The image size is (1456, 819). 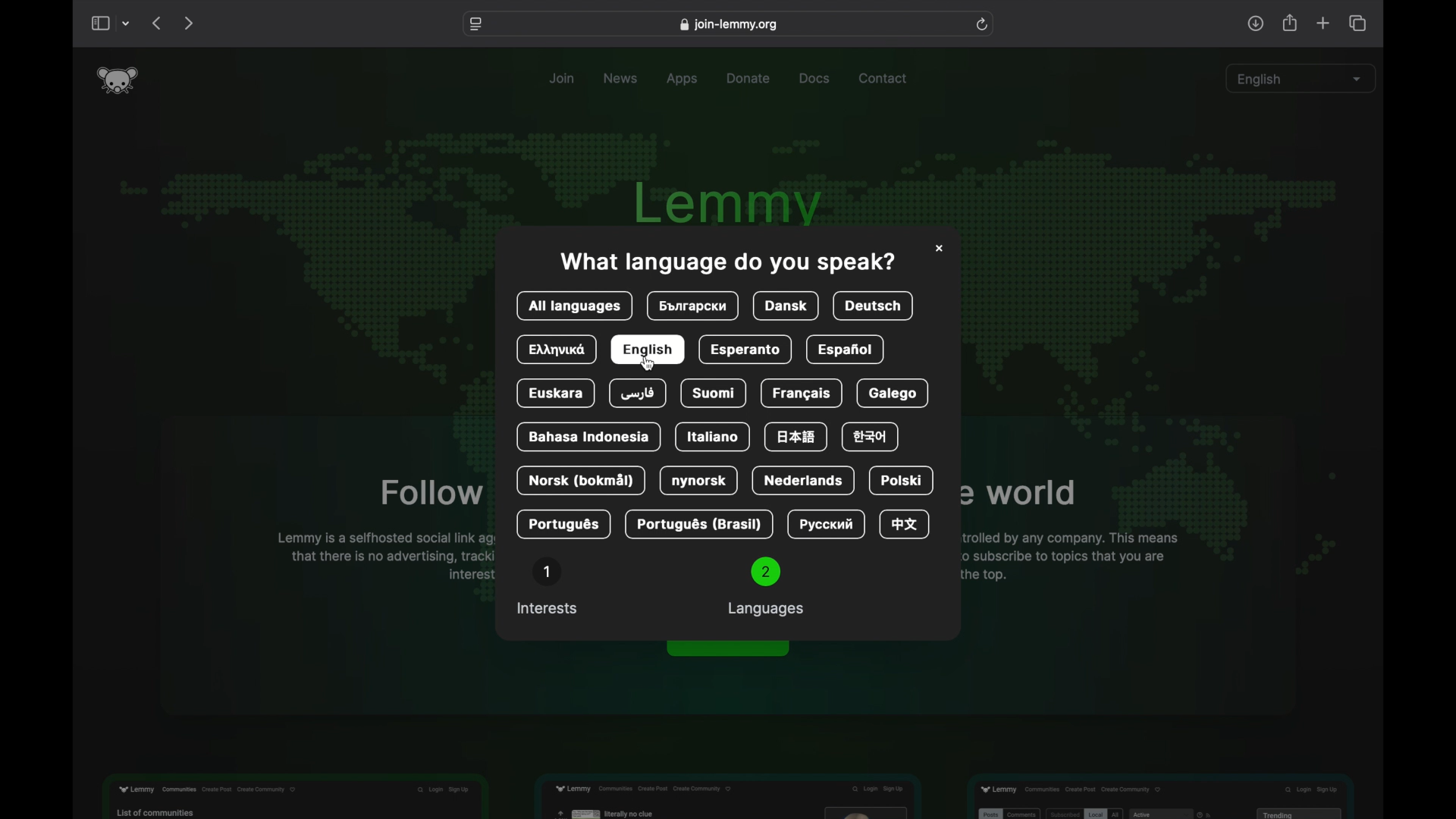 I want to click on portuges, so click(x=699, y=525).